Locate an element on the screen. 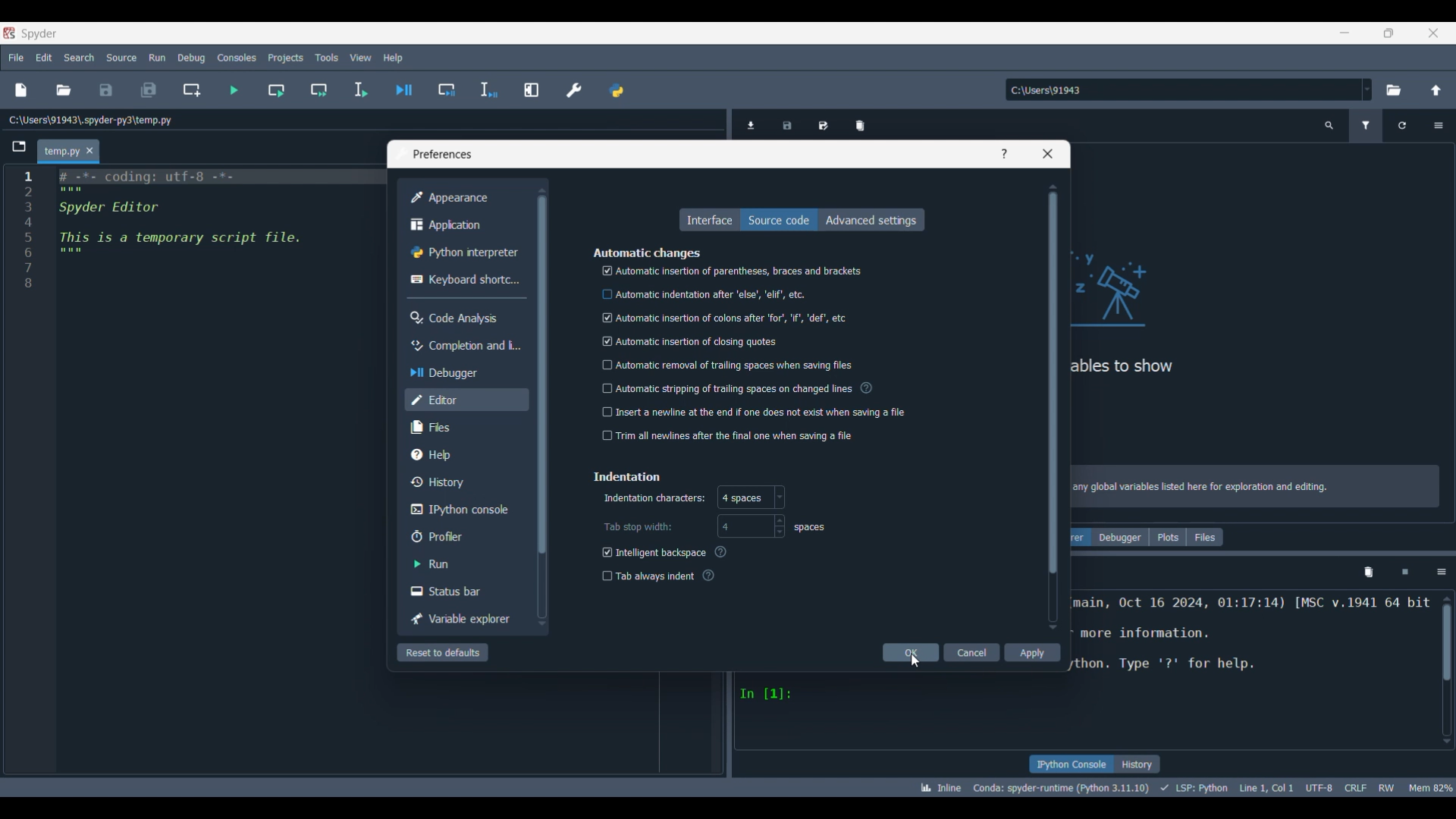  Import data is located at coordinates (751, 124).